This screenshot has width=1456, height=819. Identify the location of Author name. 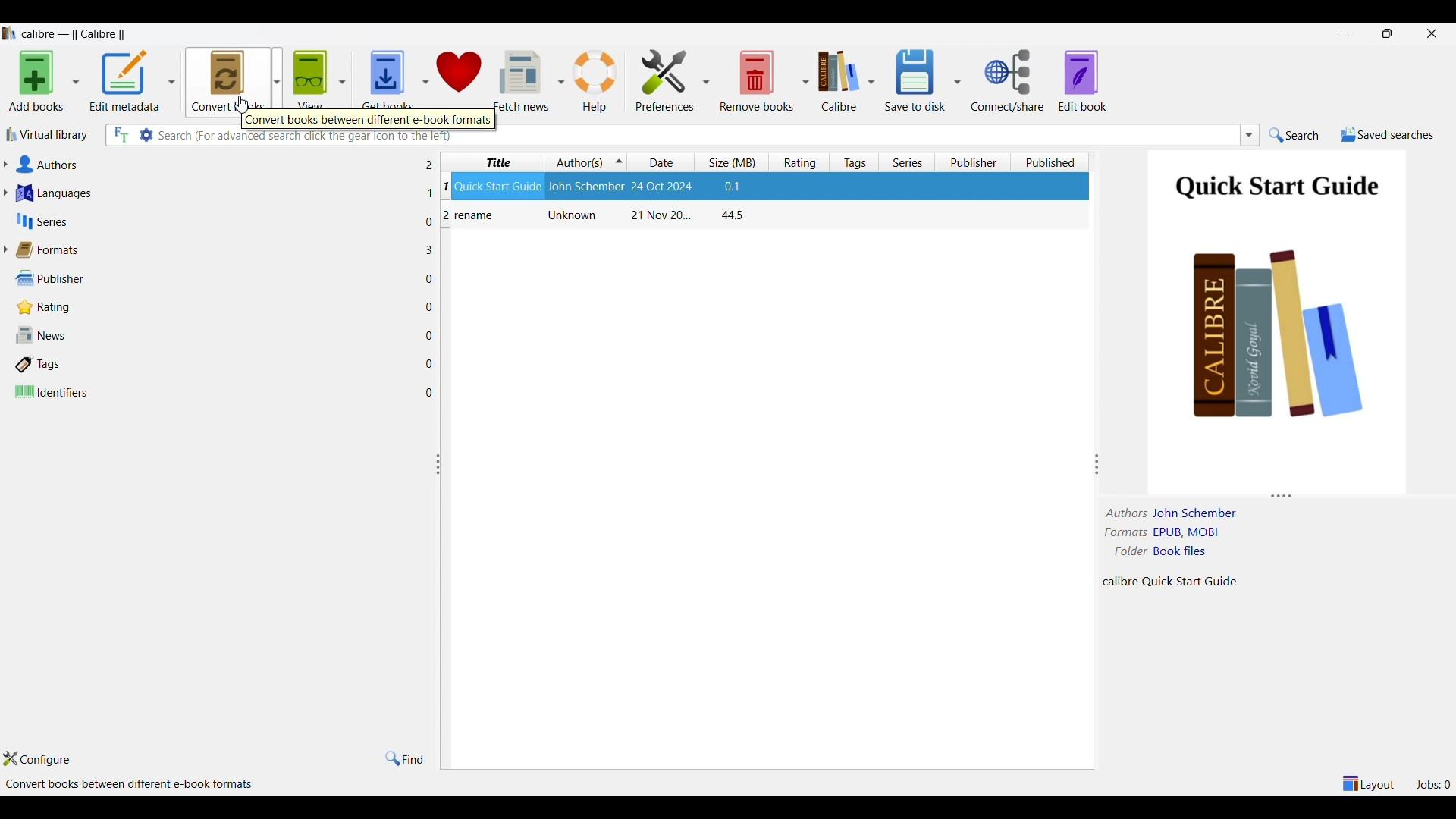
(1197, 513).